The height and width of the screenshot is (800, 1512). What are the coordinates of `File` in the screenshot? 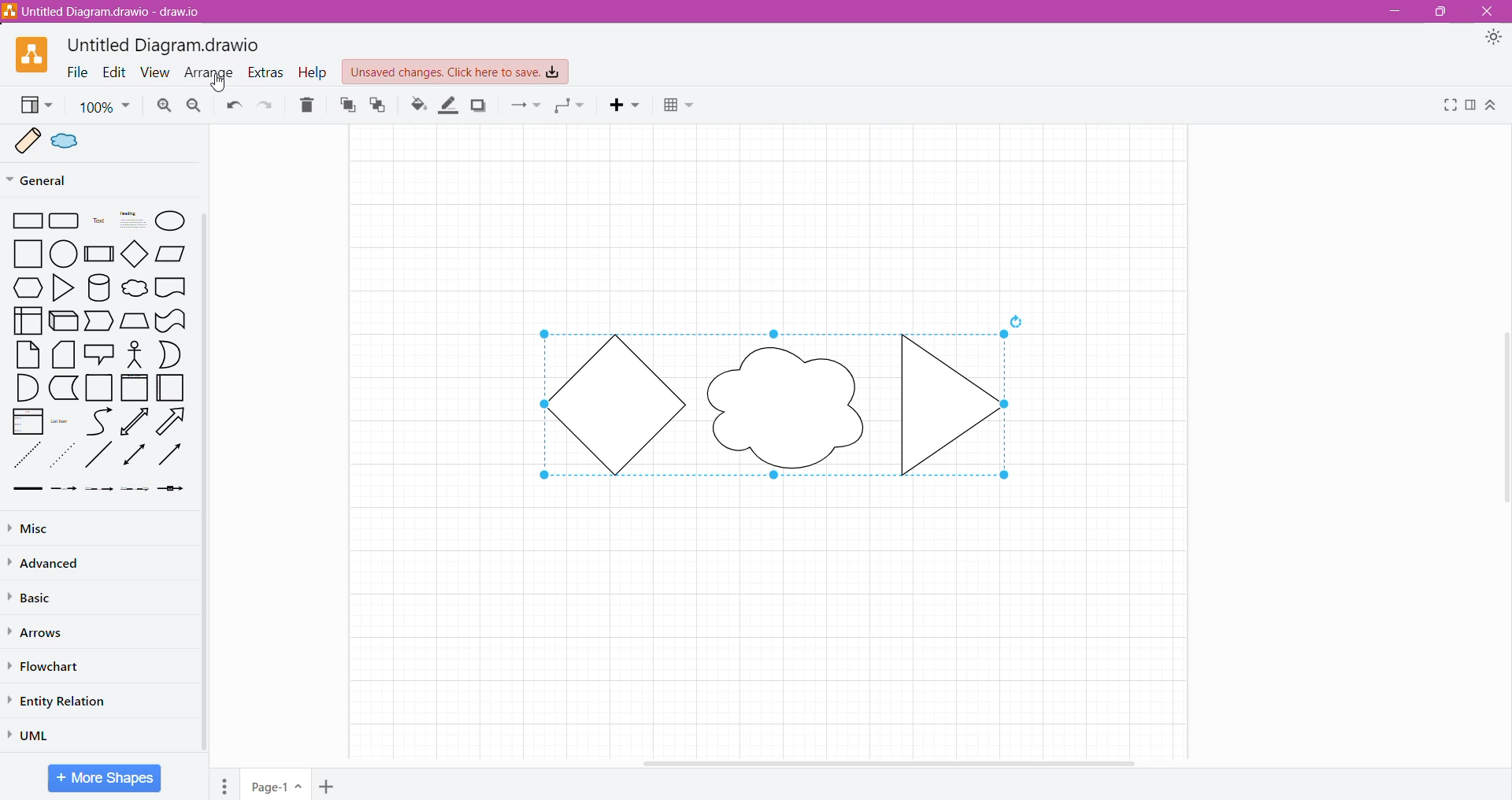 It's located at (76, 72).